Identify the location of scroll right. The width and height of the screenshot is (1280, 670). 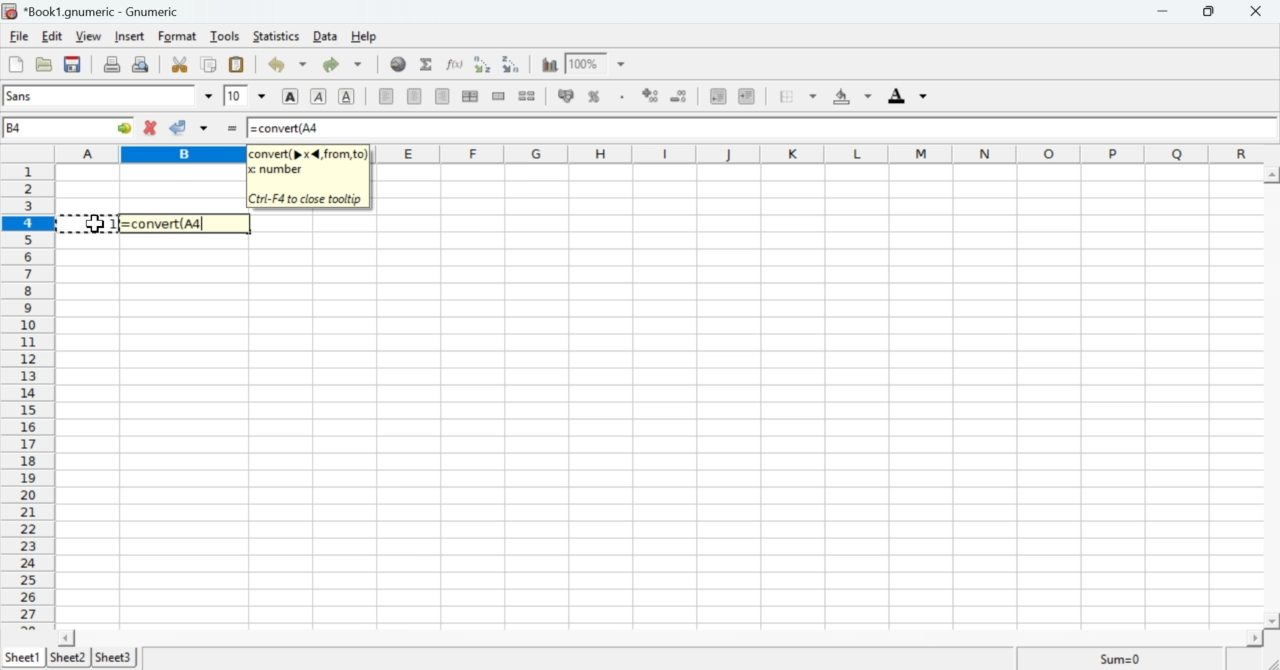
(1255, 638).